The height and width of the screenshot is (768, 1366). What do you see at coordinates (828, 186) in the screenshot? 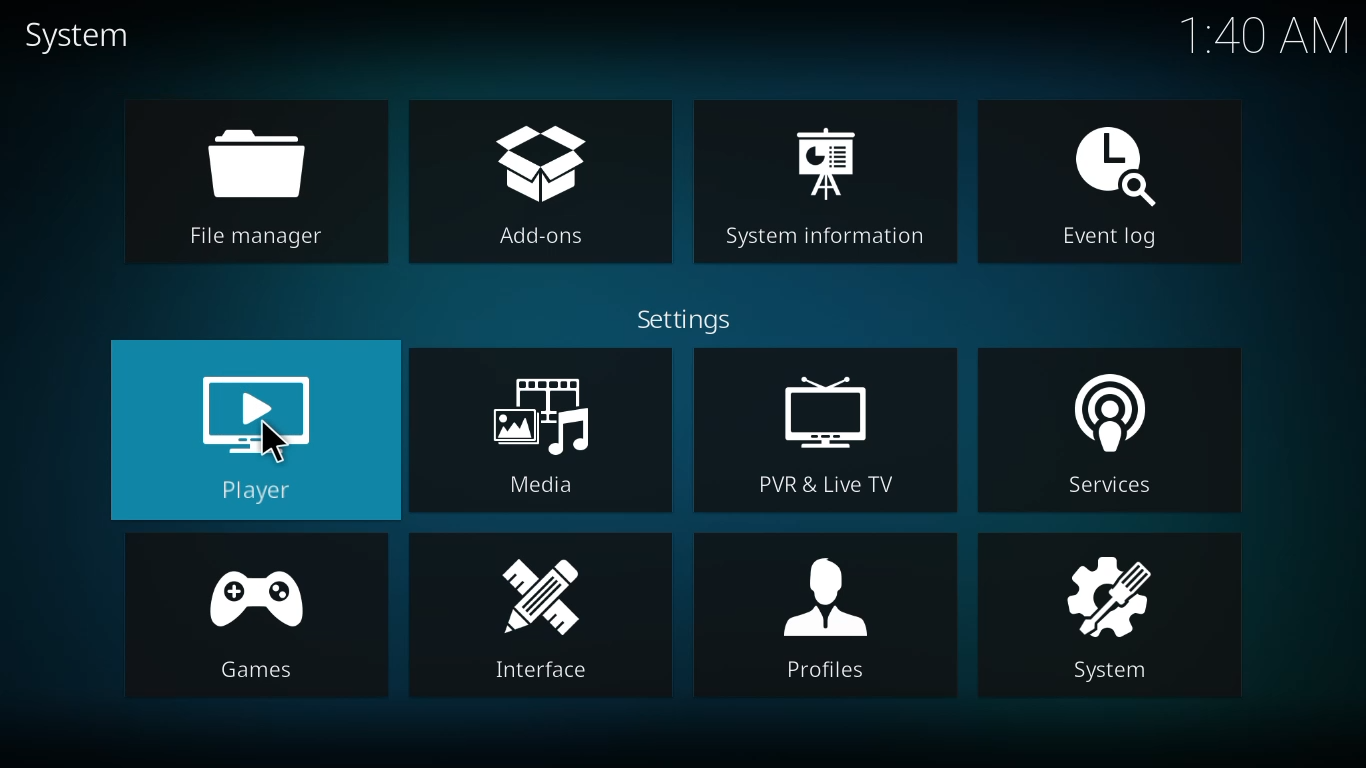
I see `system information` at bounding box center [828, 186].